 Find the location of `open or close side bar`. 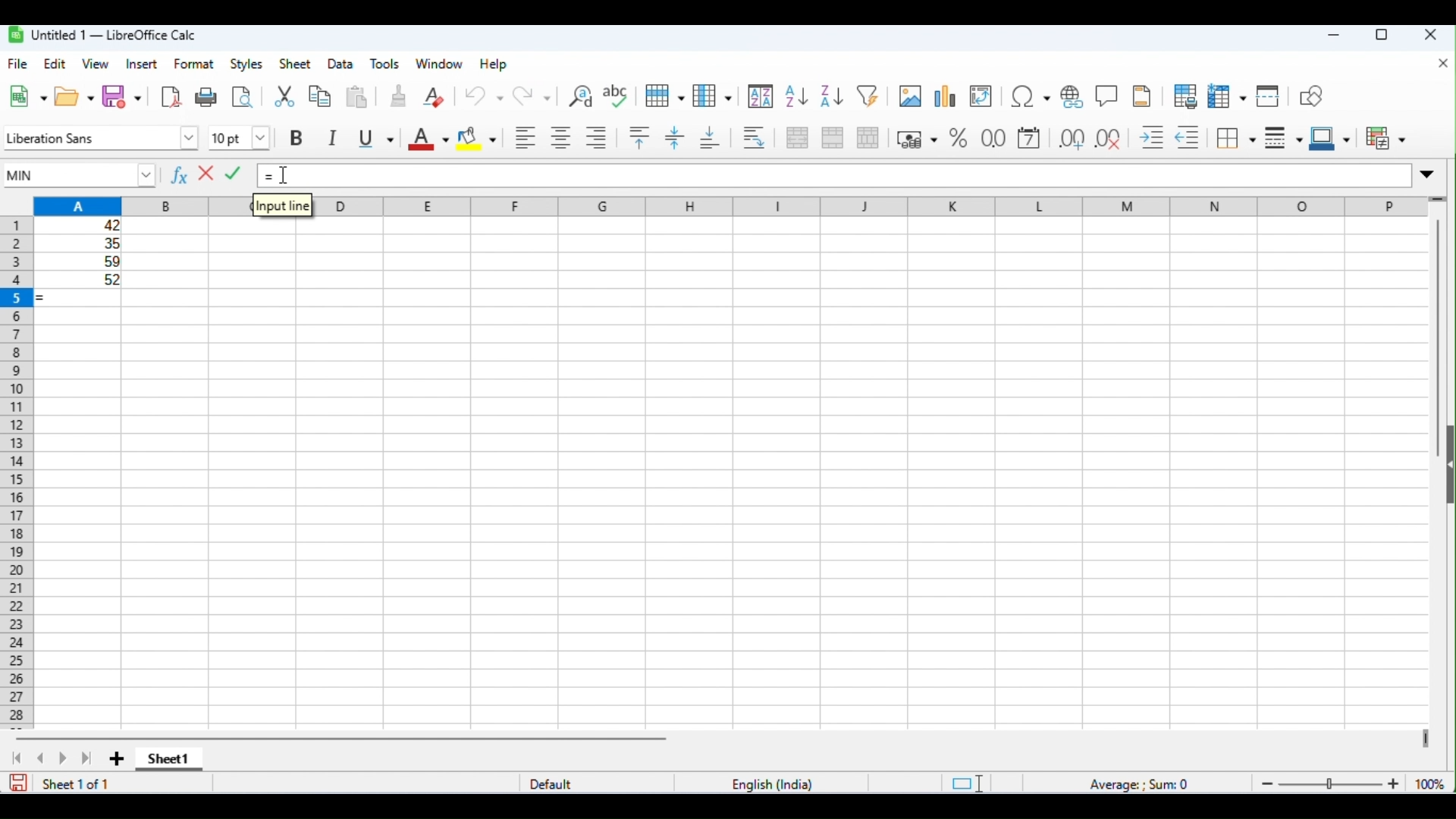

open or close side bar is located at coordinates (1447, 469).